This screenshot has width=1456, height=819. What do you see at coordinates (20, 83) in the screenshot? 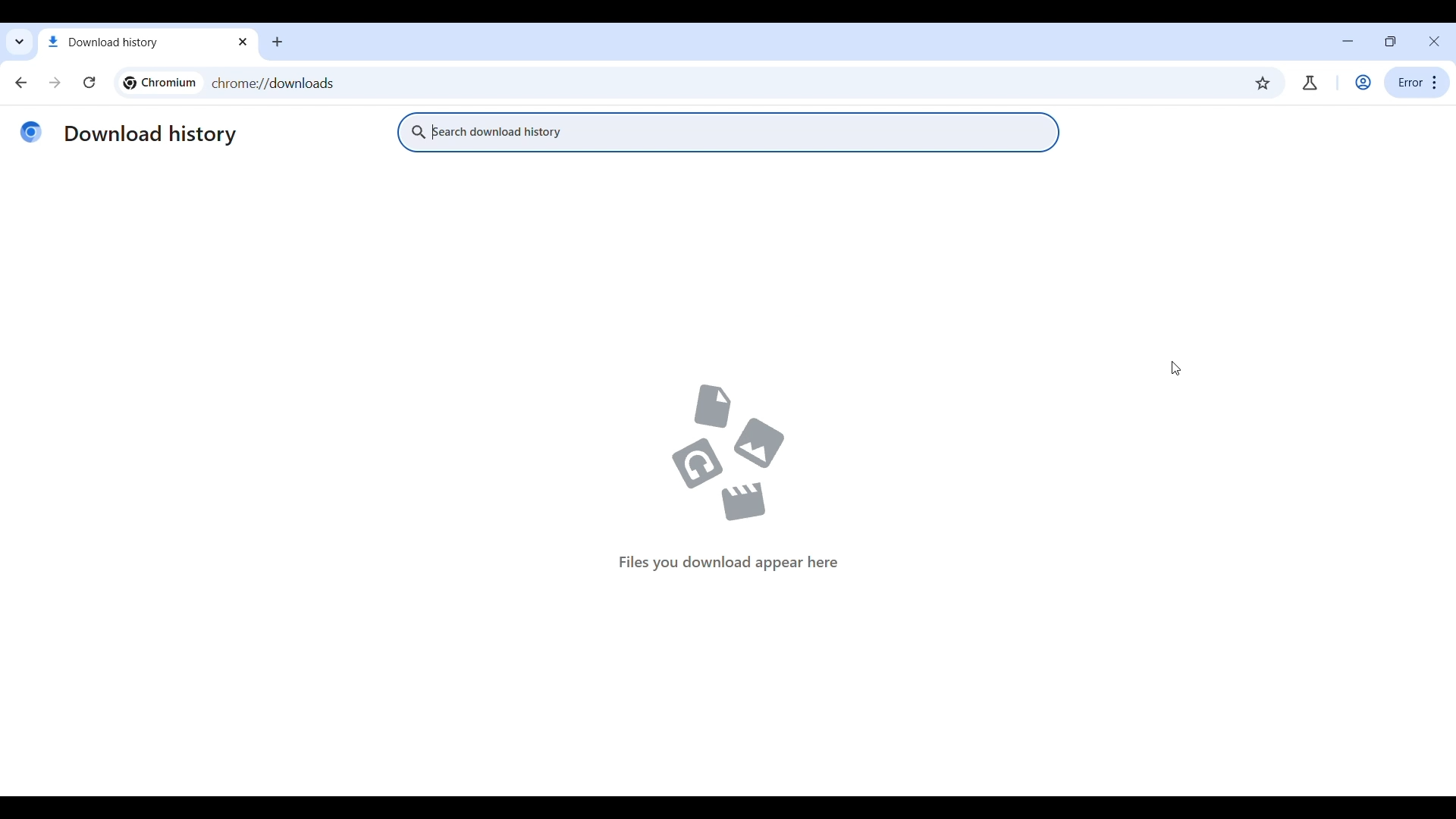
I see `Go backward` at bounding box center [20, 83].